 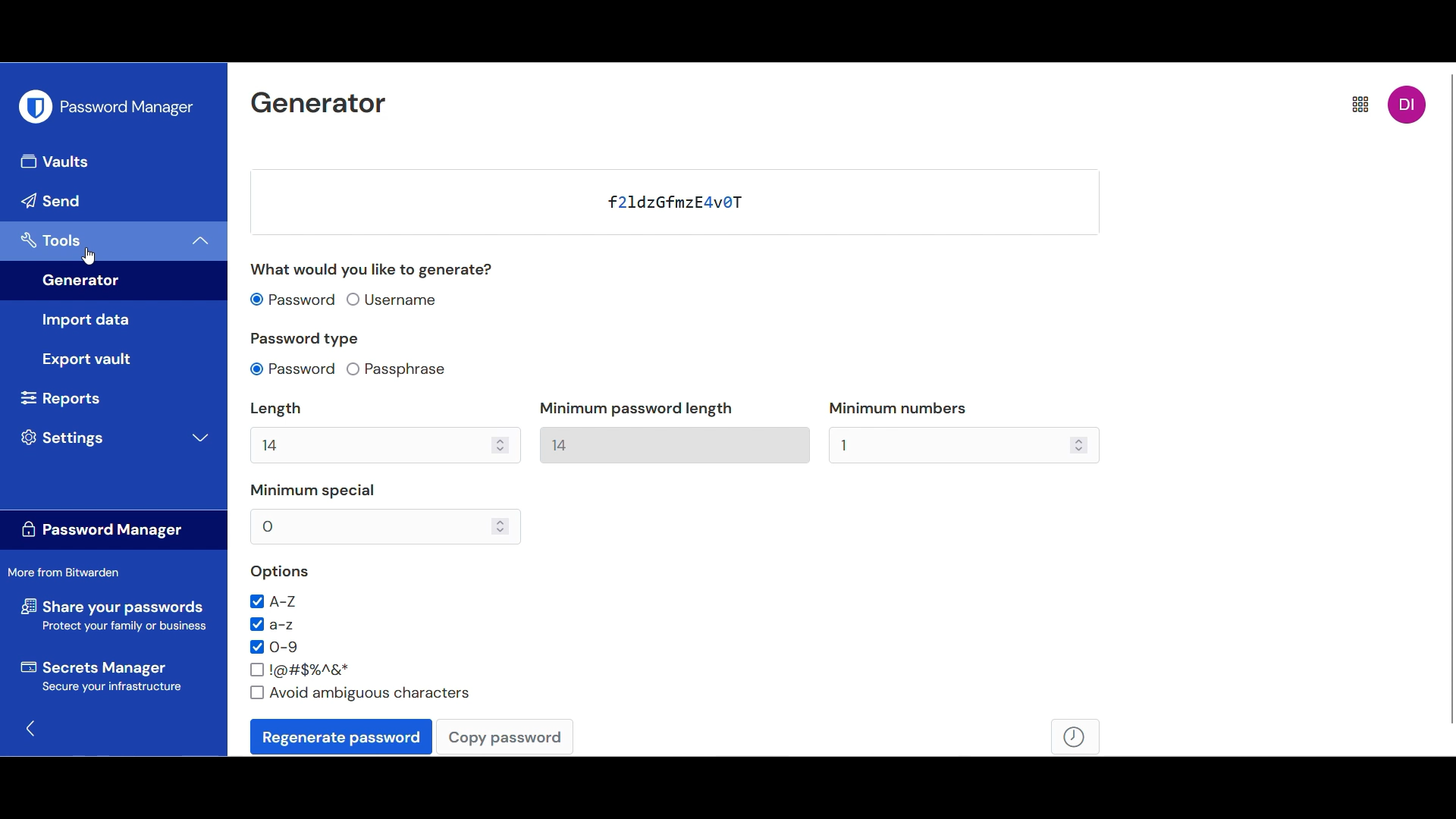 I want to click on Send, so click(x=115, y=202).